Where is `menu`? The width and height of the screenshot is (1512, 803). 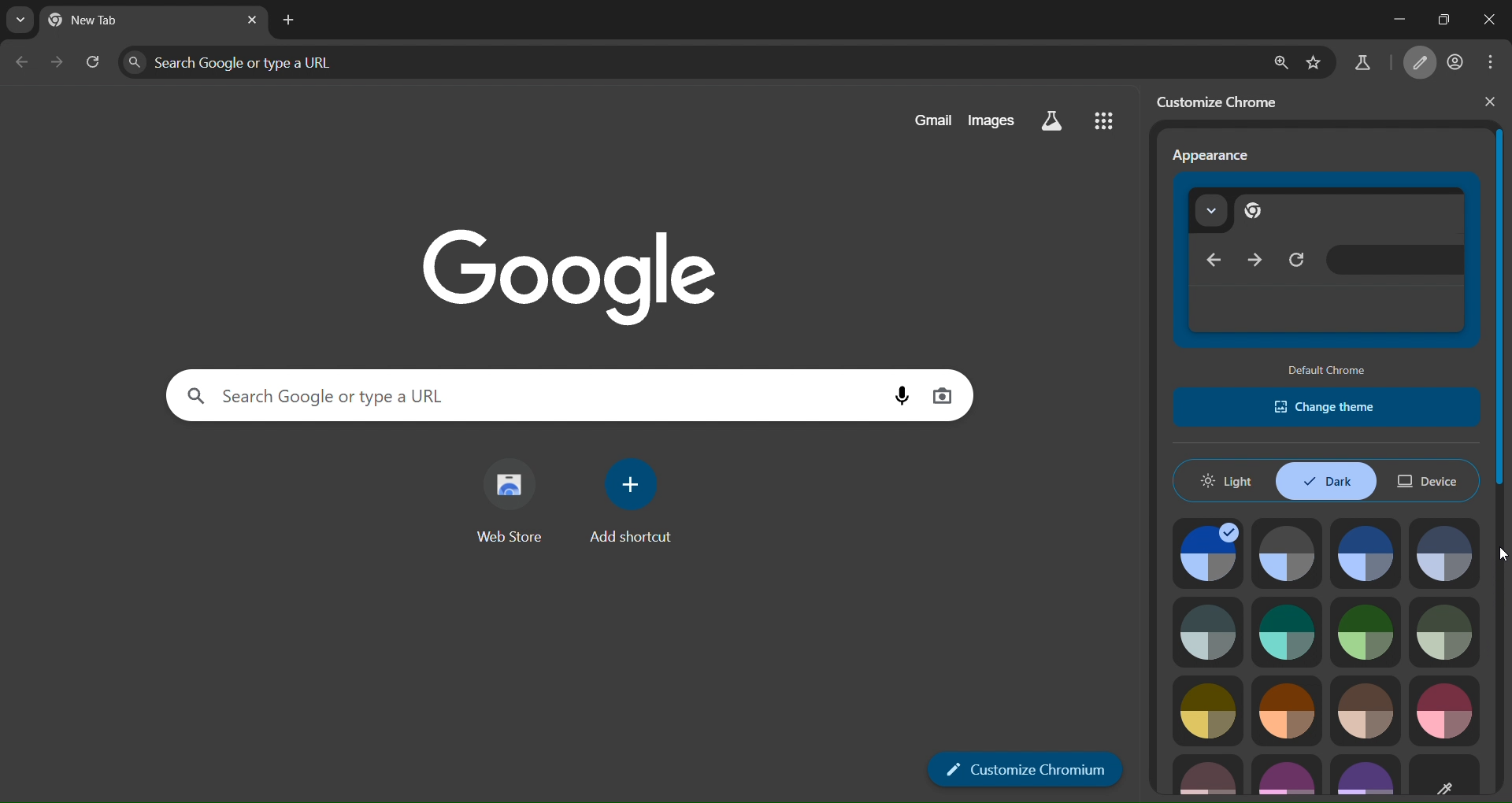 menu is located at coordinates (1495, 62).